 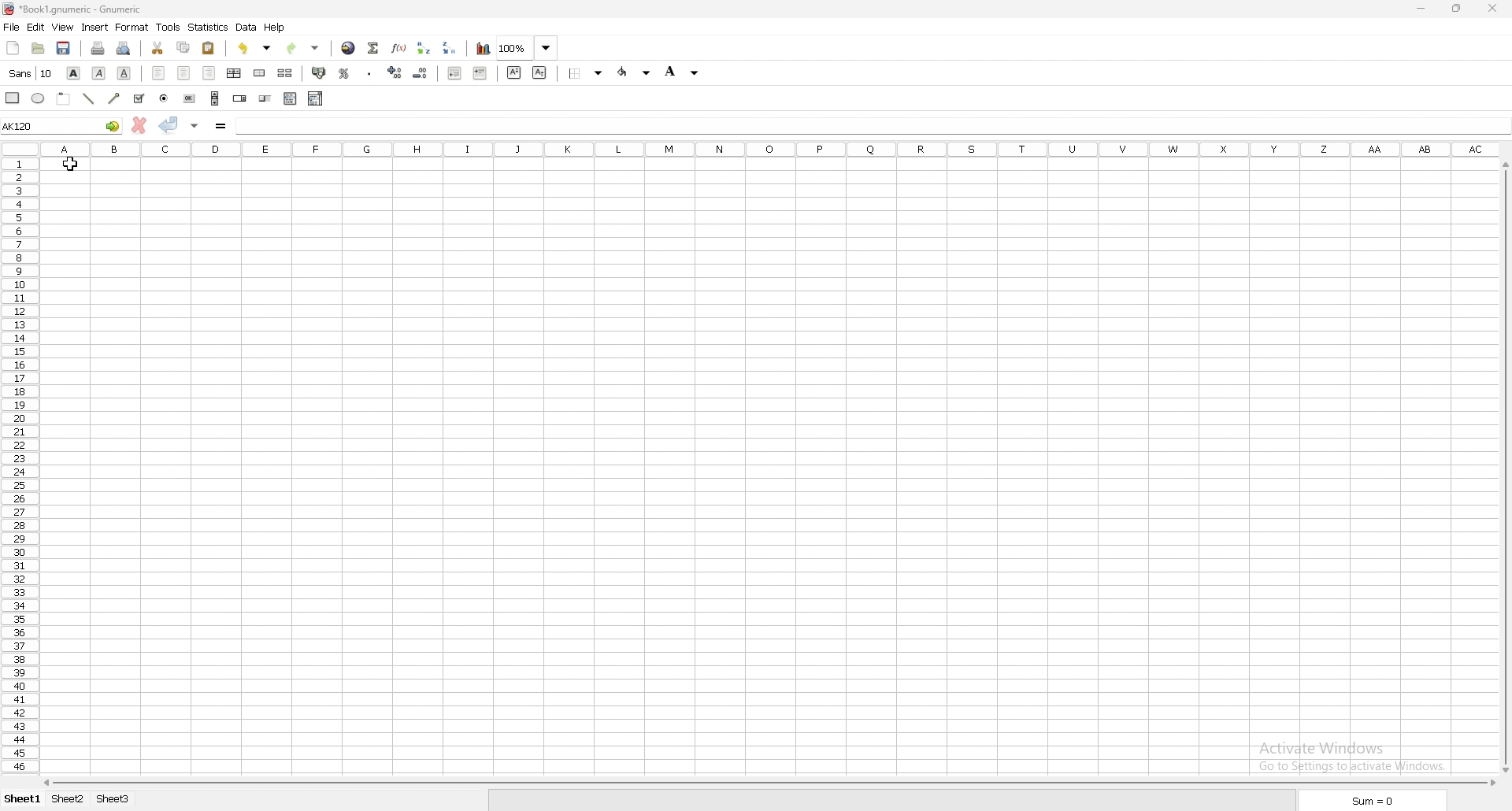 What do you see at coordinates (37, 27) in the screenshot?
I see `edit` at bounding box center [37, 27].